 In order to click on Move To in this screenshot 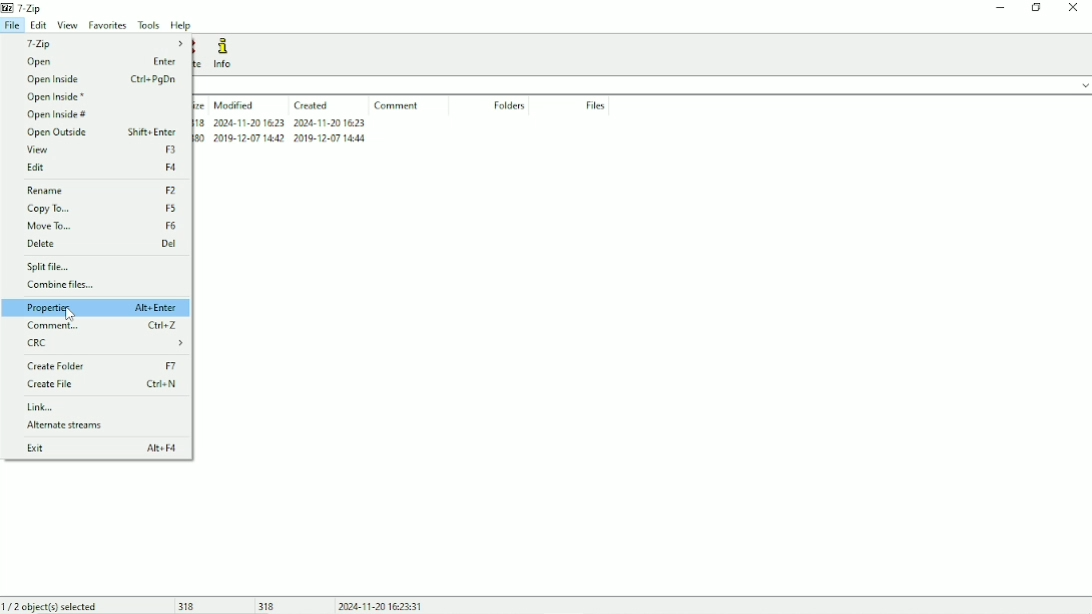, I will do `click(103, 226)`.